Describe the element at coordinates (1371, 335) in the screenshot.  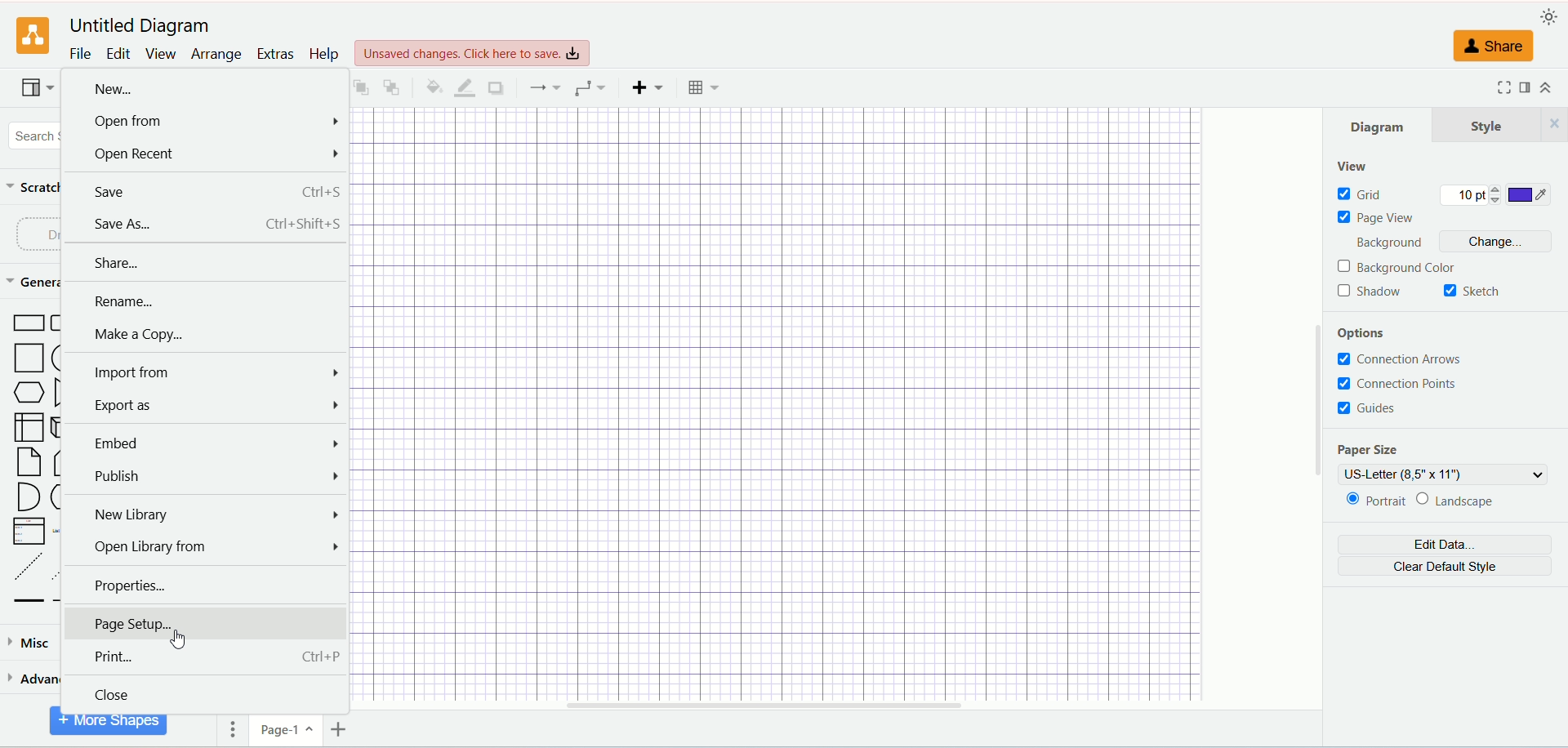
I see `options` at that location.